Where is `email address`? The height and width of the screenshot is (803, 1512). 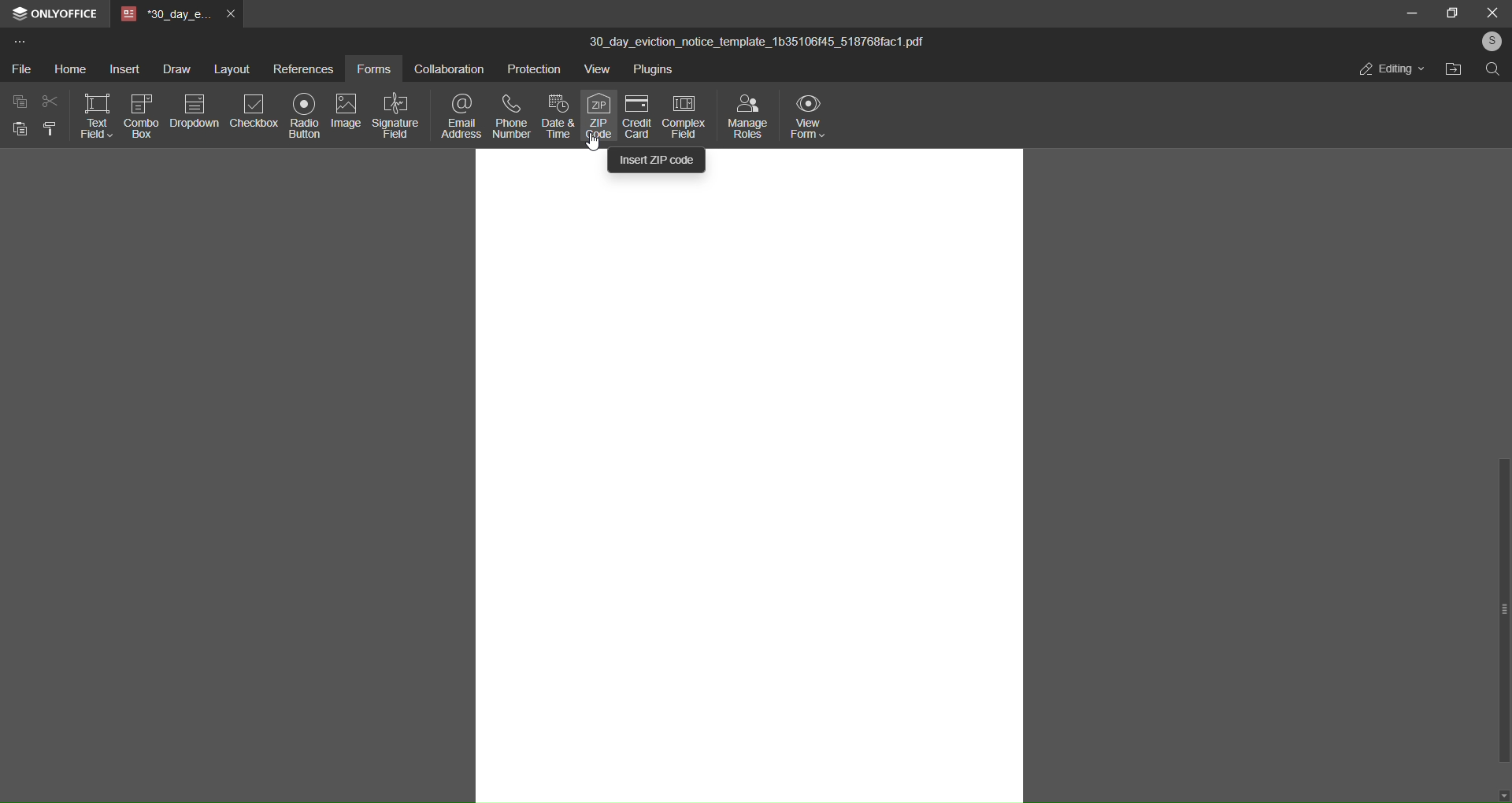
email address is located at coordinates (461, 114).